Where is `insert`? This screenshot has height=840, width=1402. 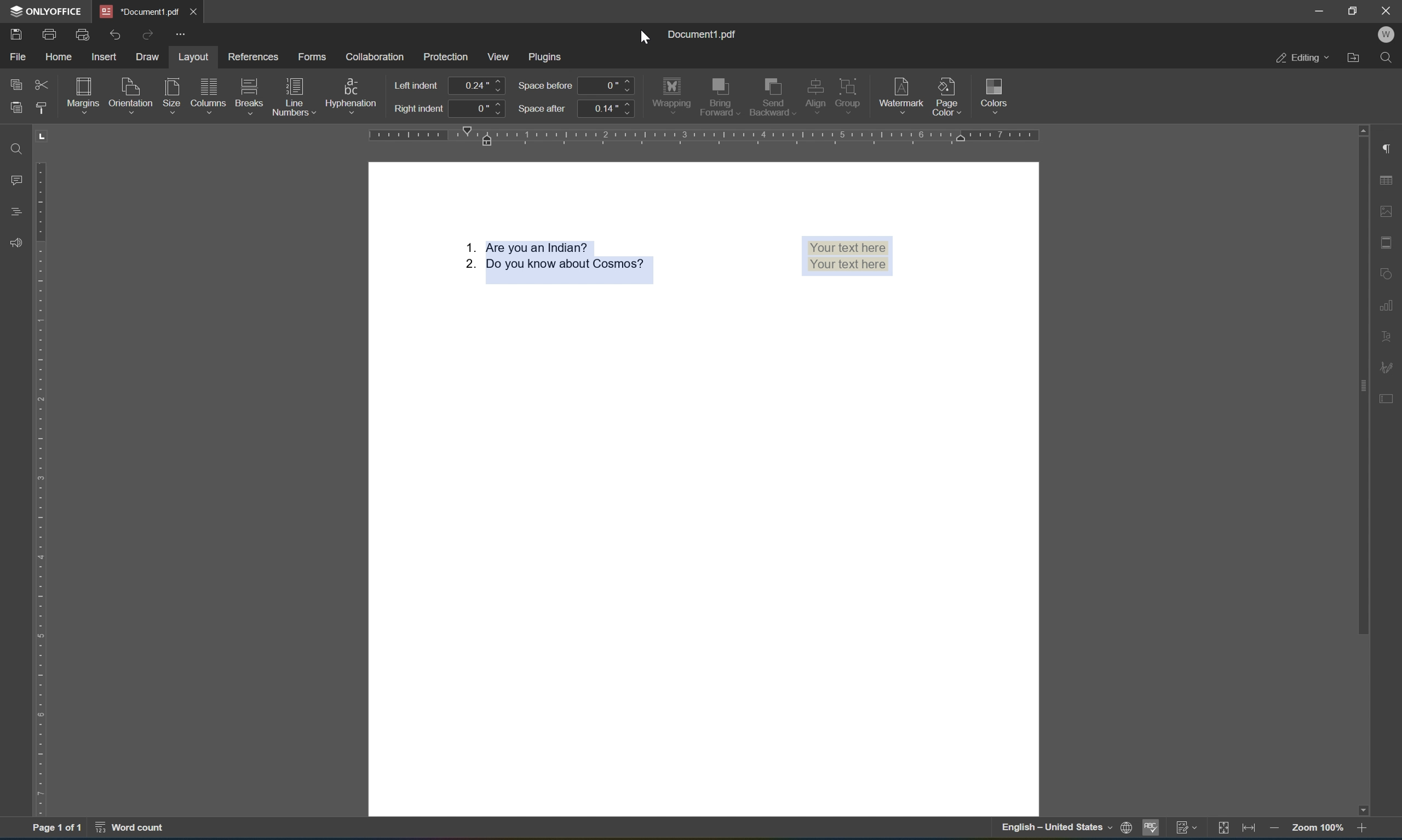 insert is located at coordinates (107, 57).